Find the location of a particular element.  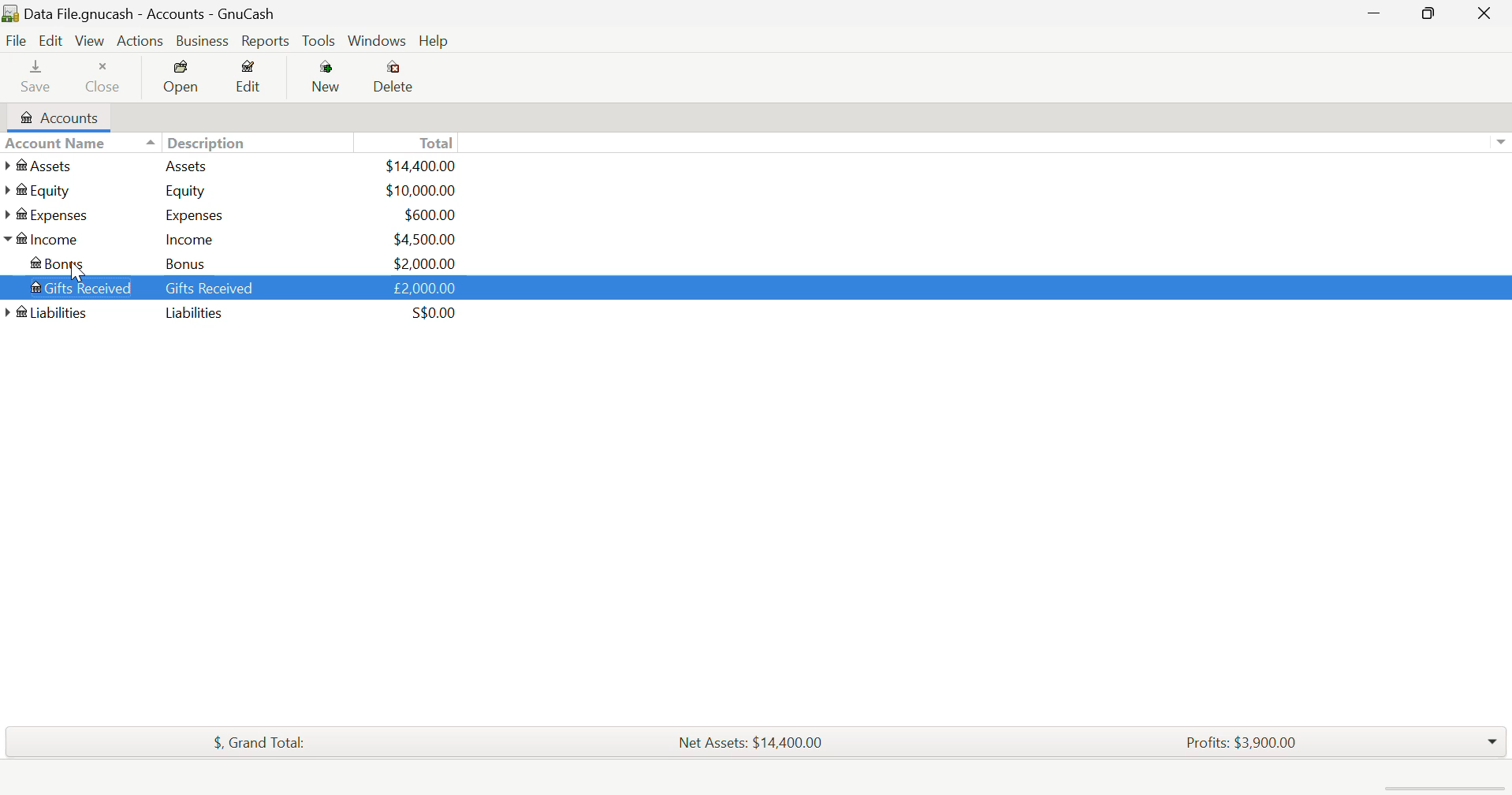

Business is located at coordinates (201, 39).